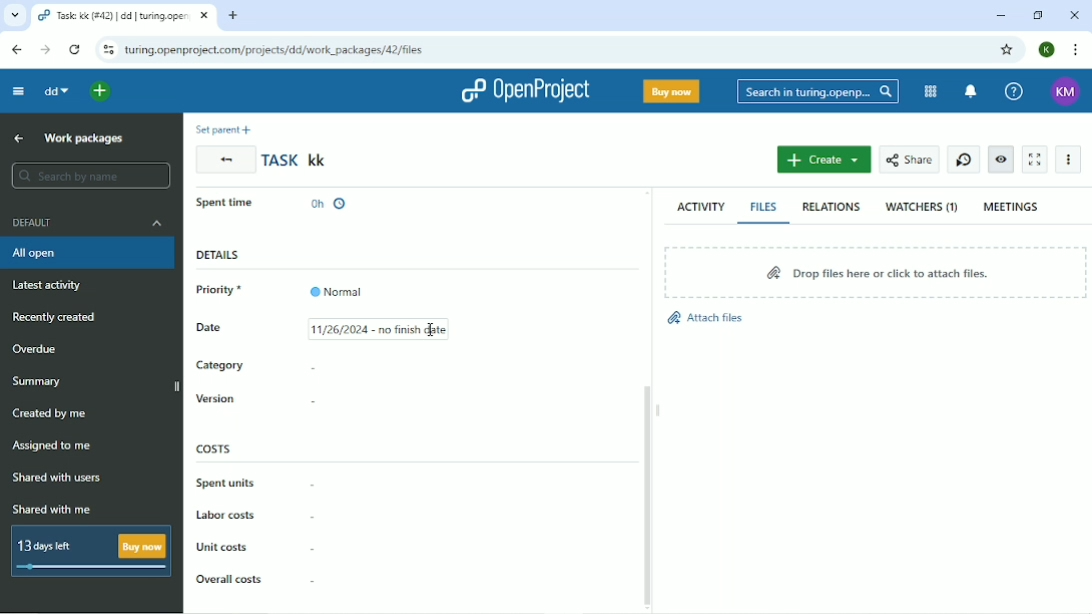 Image resolution: width=1092 pixels, height=614 pixels. I want to click on Share, so click(907, 160).